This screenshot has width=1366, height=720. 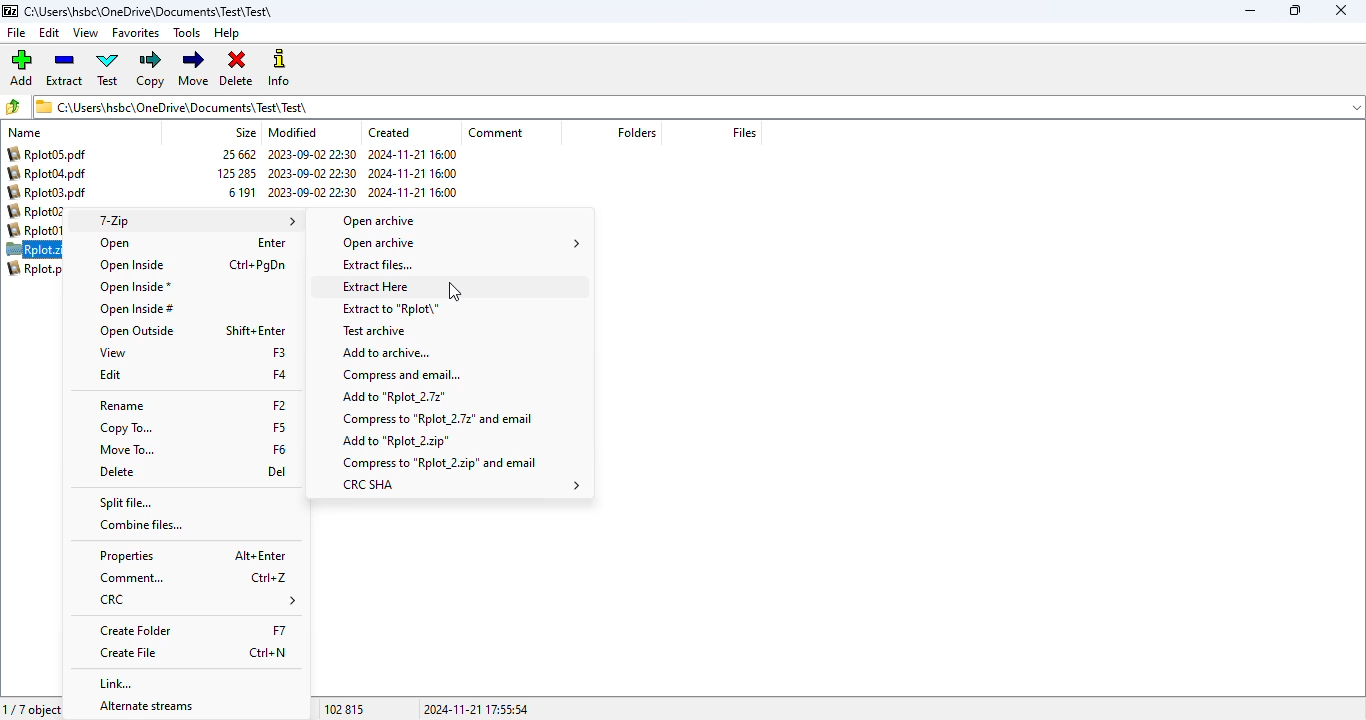 I want to click on open archive, so click(x=379, y=221).